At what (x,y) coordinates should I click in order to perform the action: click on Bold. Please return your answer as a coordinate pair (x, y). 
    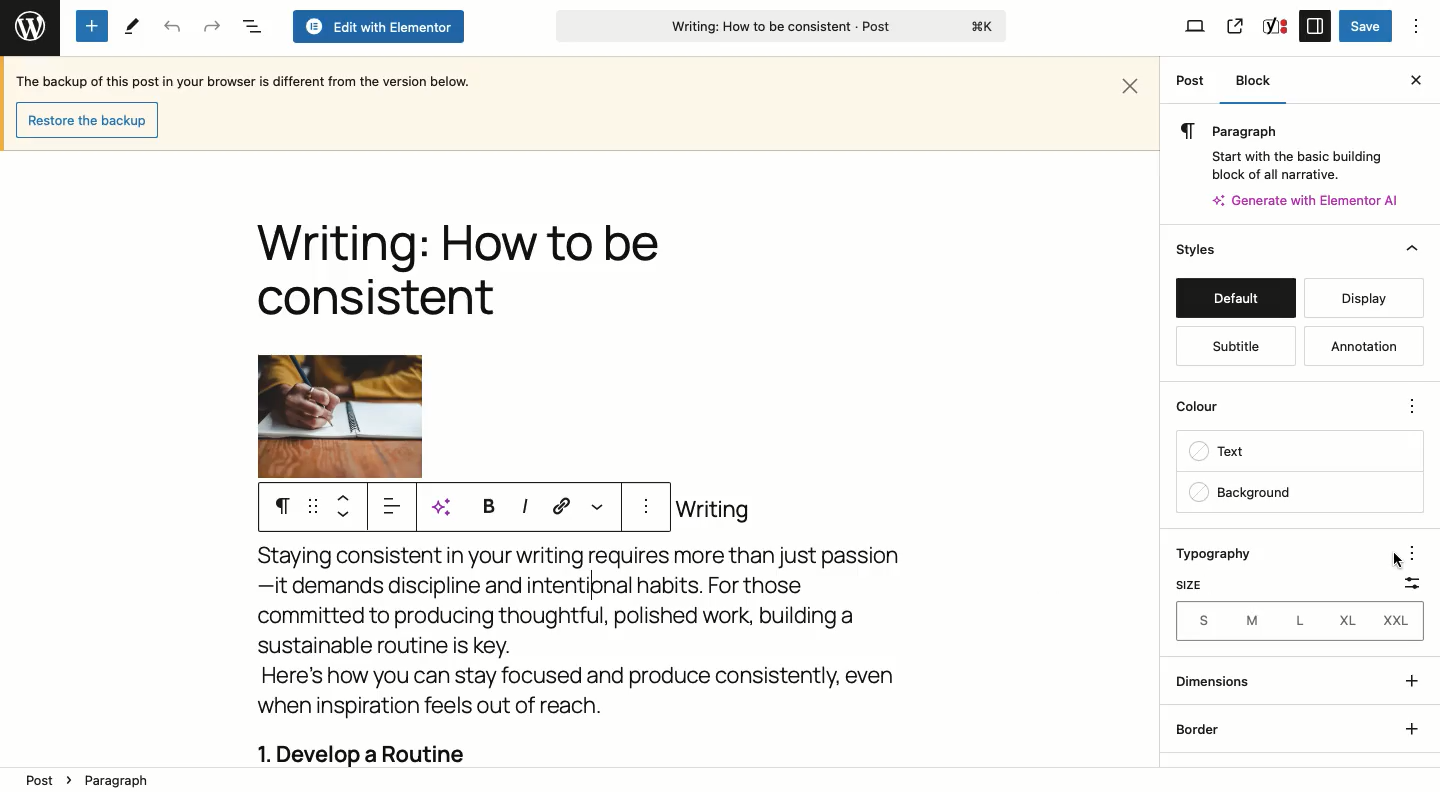
    Looking at the image, I should click on (486, 505).